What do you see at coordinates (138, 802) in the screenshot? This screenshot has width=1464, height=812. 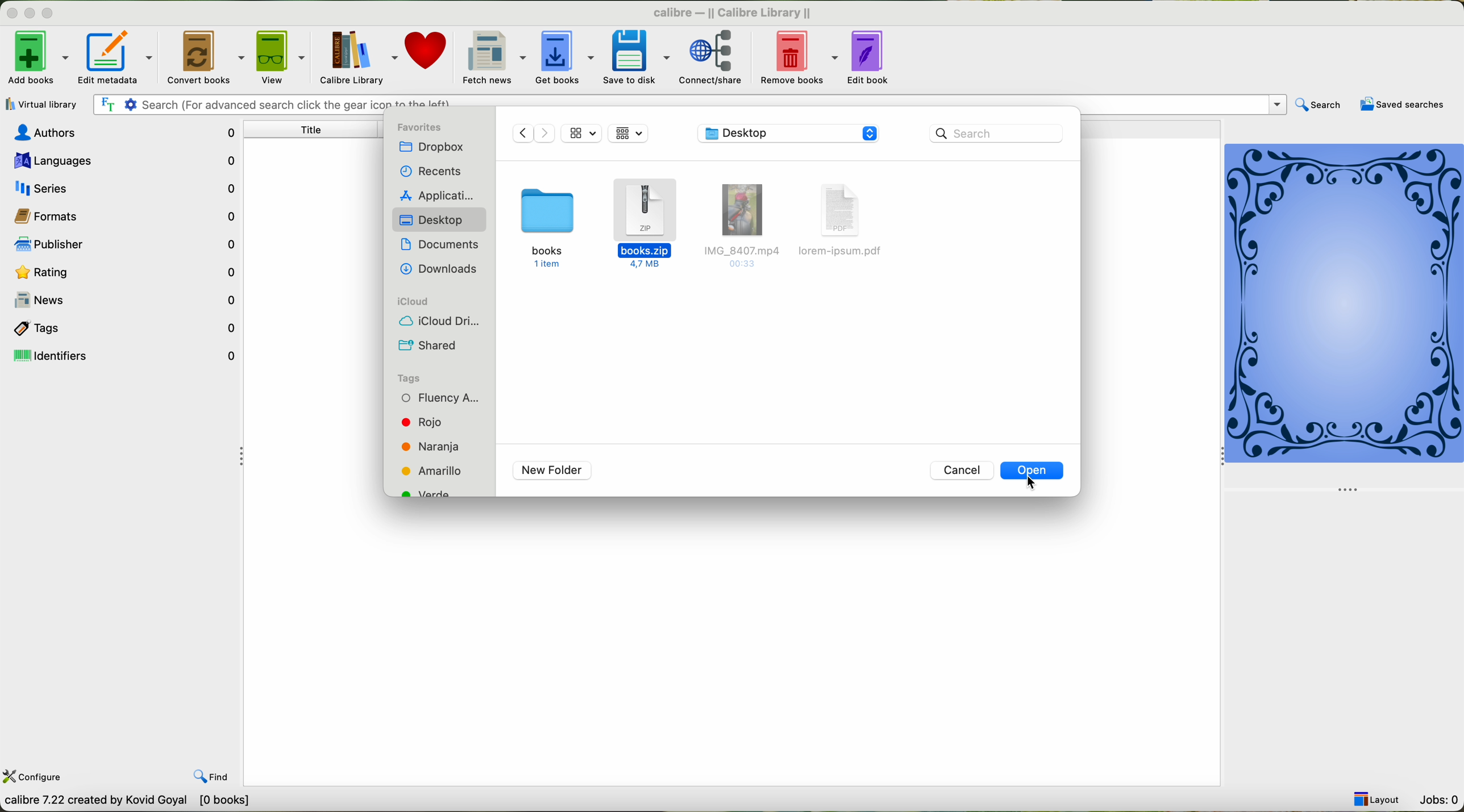 I see `Callibre 7.22 Created by Kavid Goyal [o books]` at bounding box center [138, 802].